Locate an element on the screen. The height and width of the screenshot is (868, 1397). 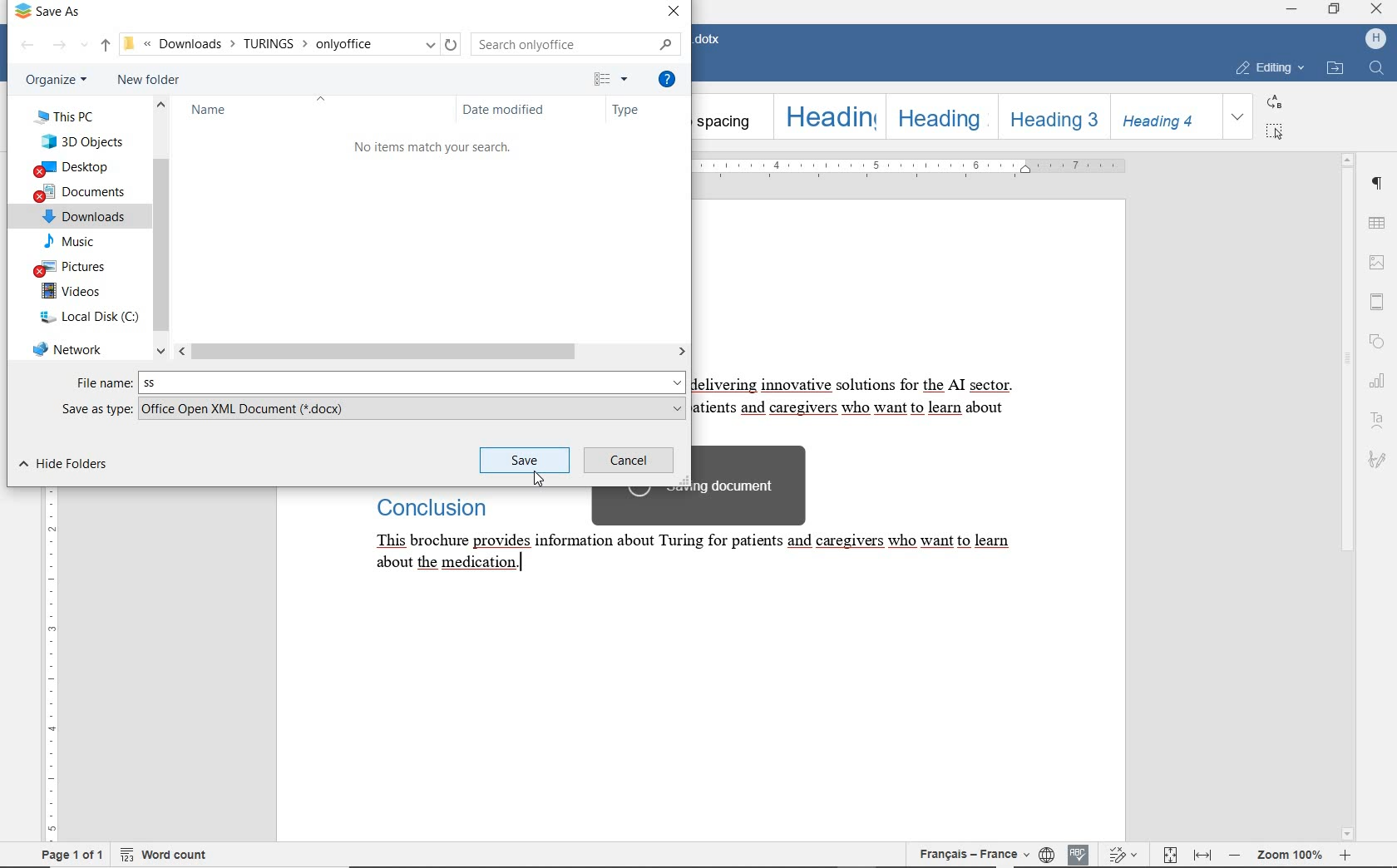
scroll down is located at coordinates (161, 353).